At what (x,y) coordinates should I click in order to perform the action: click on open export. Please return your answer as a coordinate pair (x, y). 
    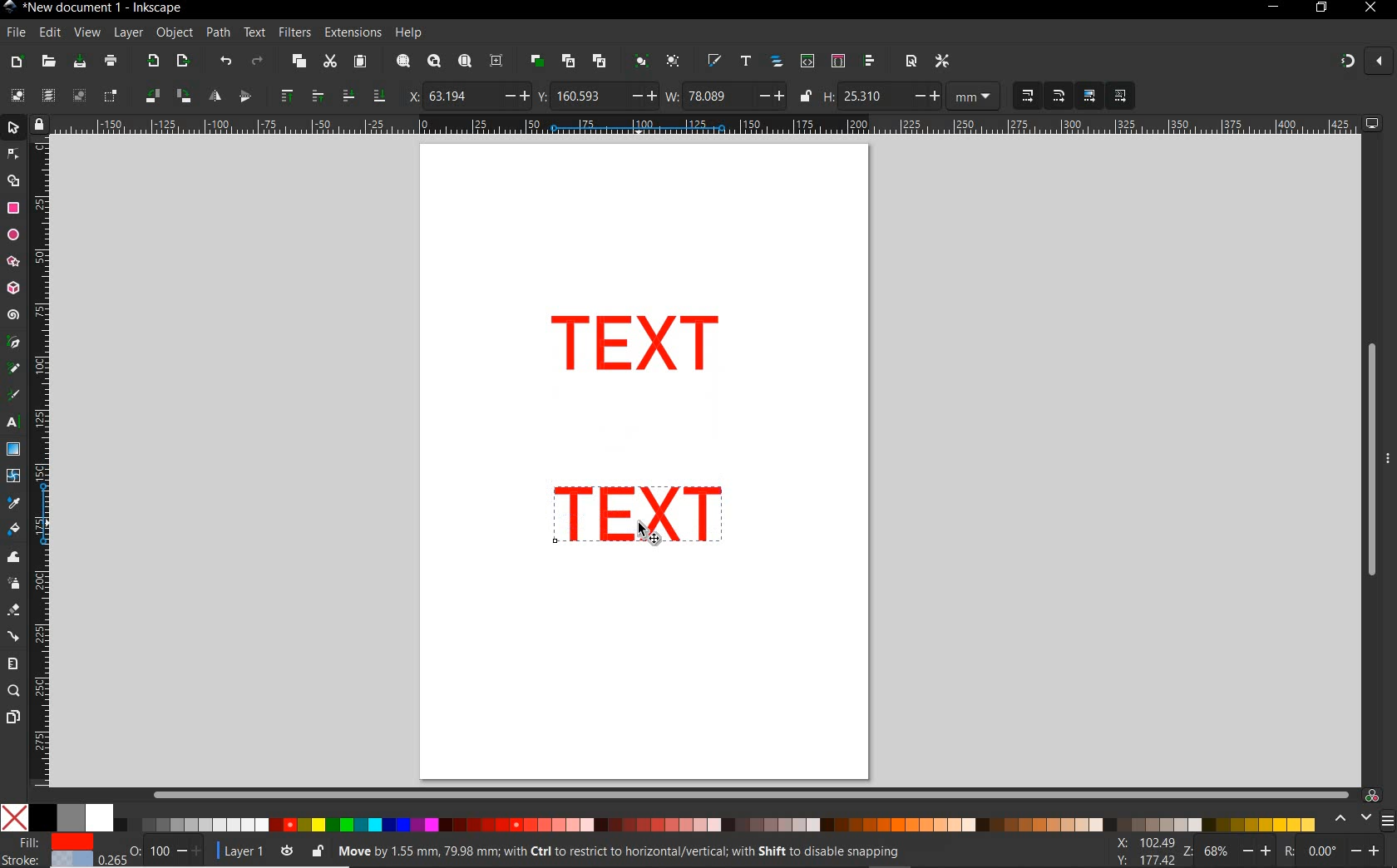
    Looking at the image, I should click on (182, 62).